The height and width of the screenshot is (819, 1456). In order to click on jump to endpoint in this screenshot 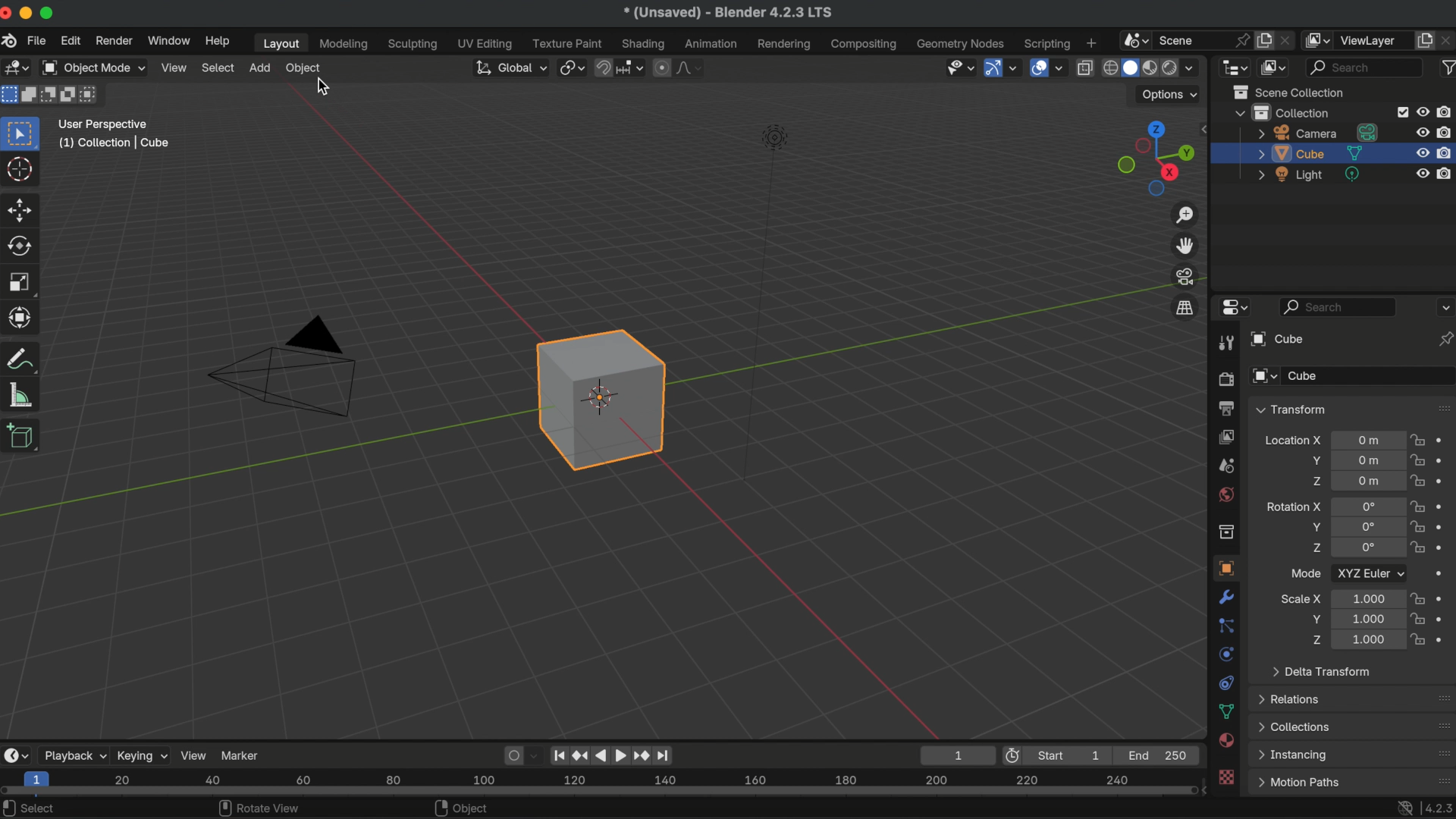, I will do `click(669, 755)`.